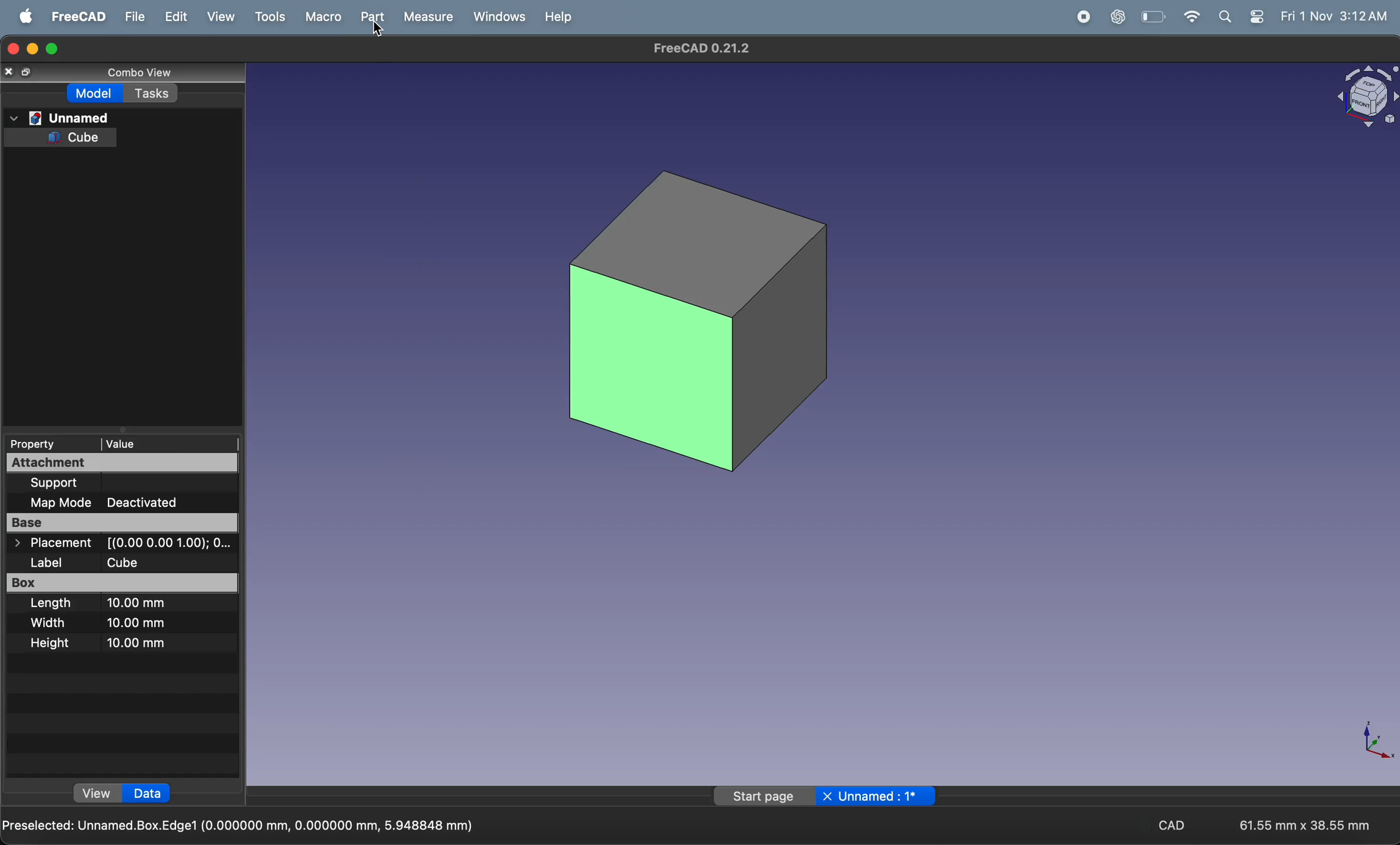  What do you see at coordinates (428, 18) in the screenshot?
I see `measure` at bounding box center [428, 18].